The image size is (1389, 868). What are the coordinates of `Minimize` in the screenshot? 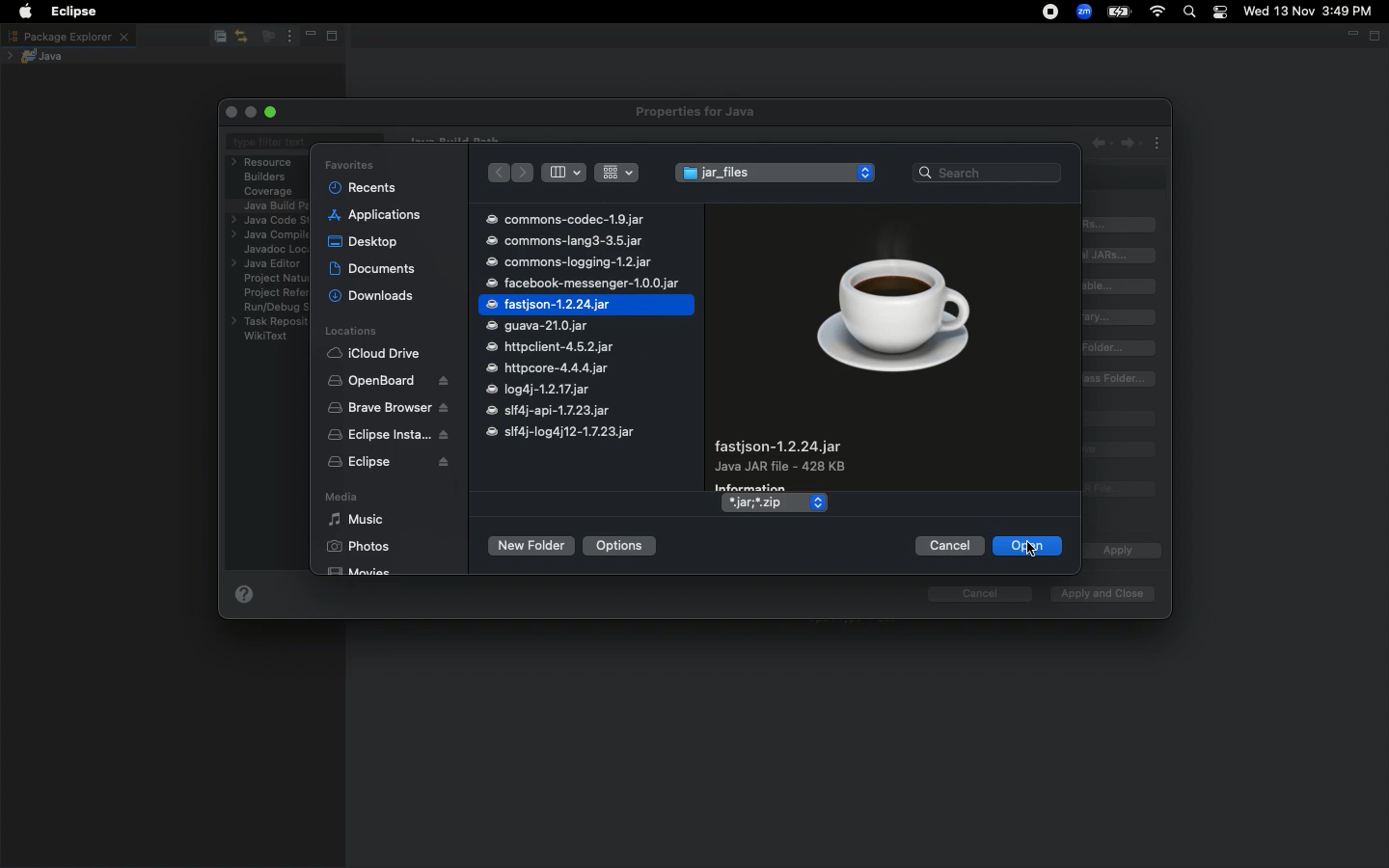 It's located at (309, 37).